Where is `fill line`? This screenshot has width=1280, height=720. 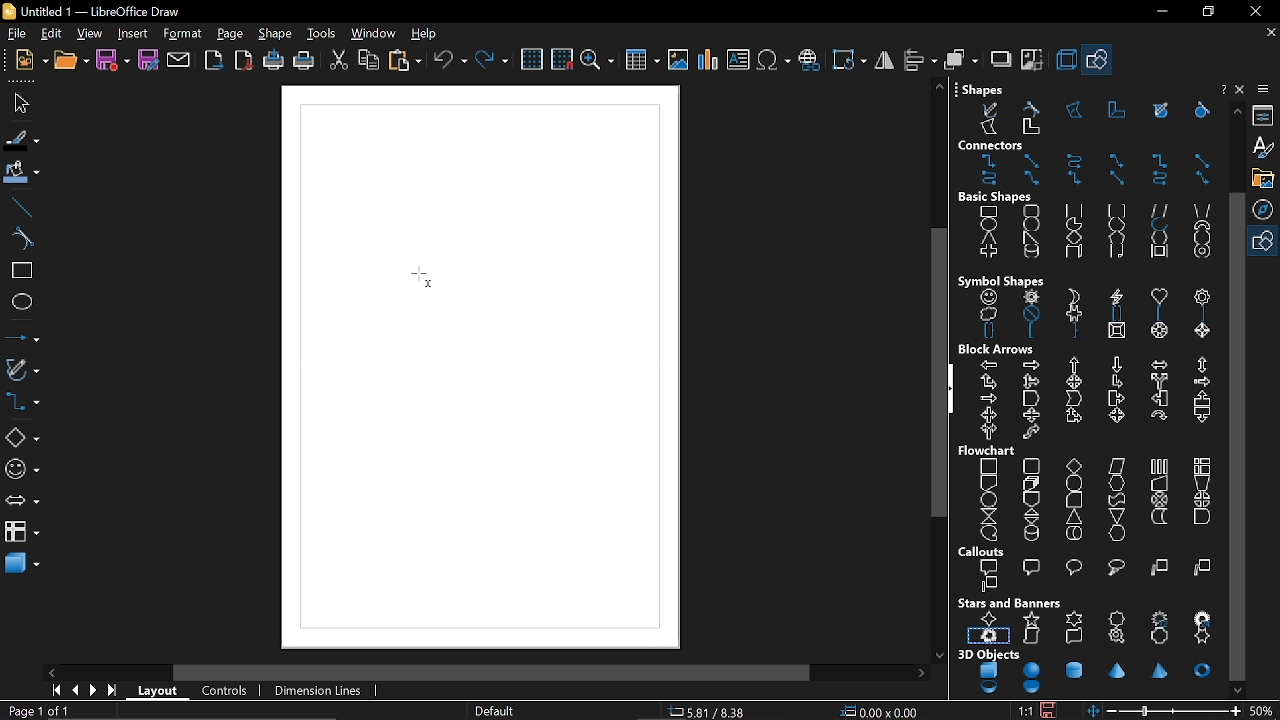
fill line is located at coordinates (21, 141).